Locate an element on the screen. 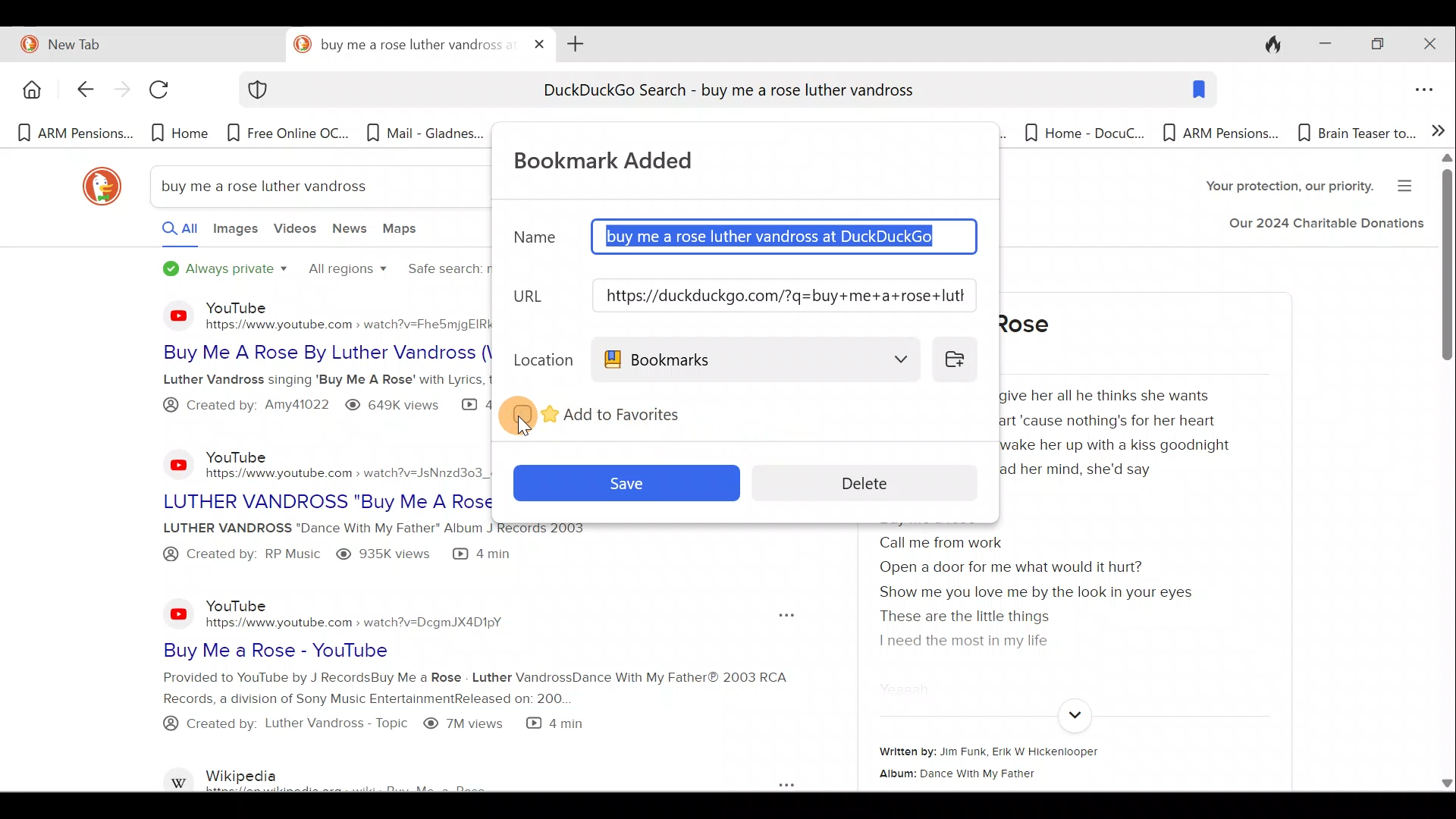  Bookmark 10 is located at coordinates (1221, 134).